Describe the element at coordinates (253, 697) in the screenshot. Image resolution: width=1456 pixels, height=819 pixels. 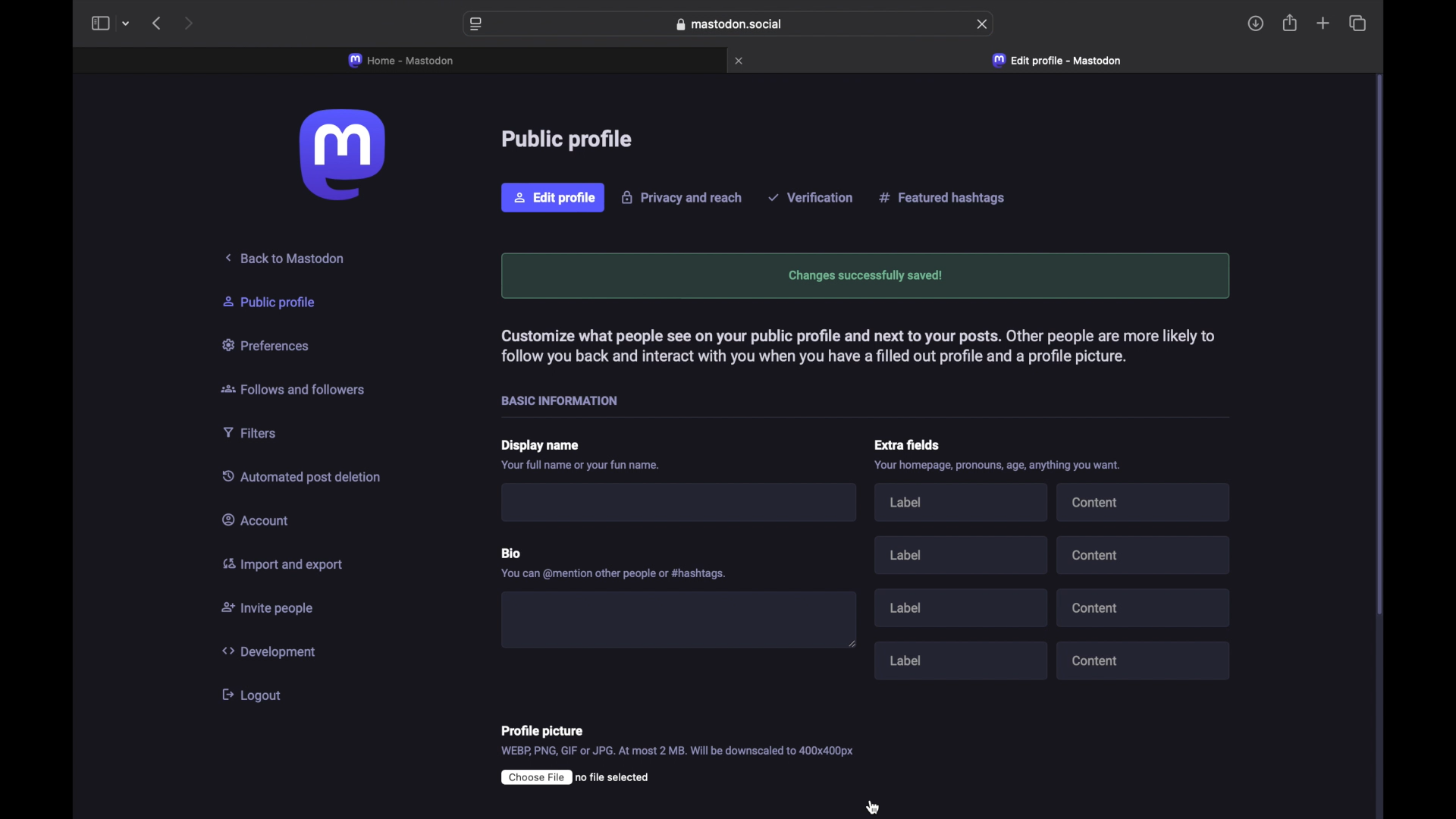
I see `logout` at that location.